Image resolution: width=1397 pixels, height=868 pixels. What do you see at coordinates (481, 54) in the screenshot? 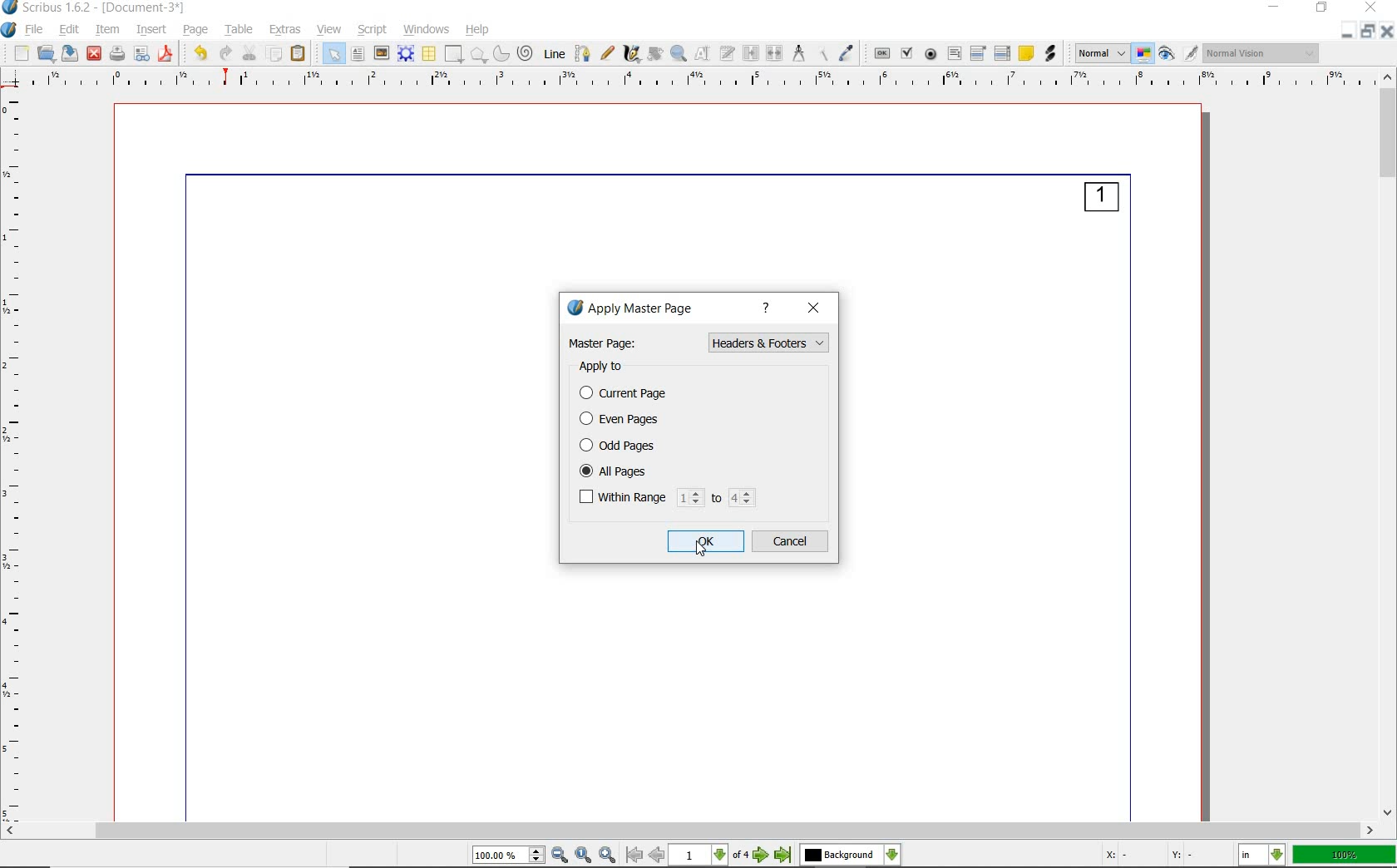
I see `polygon` at bounding box center [481, 54].